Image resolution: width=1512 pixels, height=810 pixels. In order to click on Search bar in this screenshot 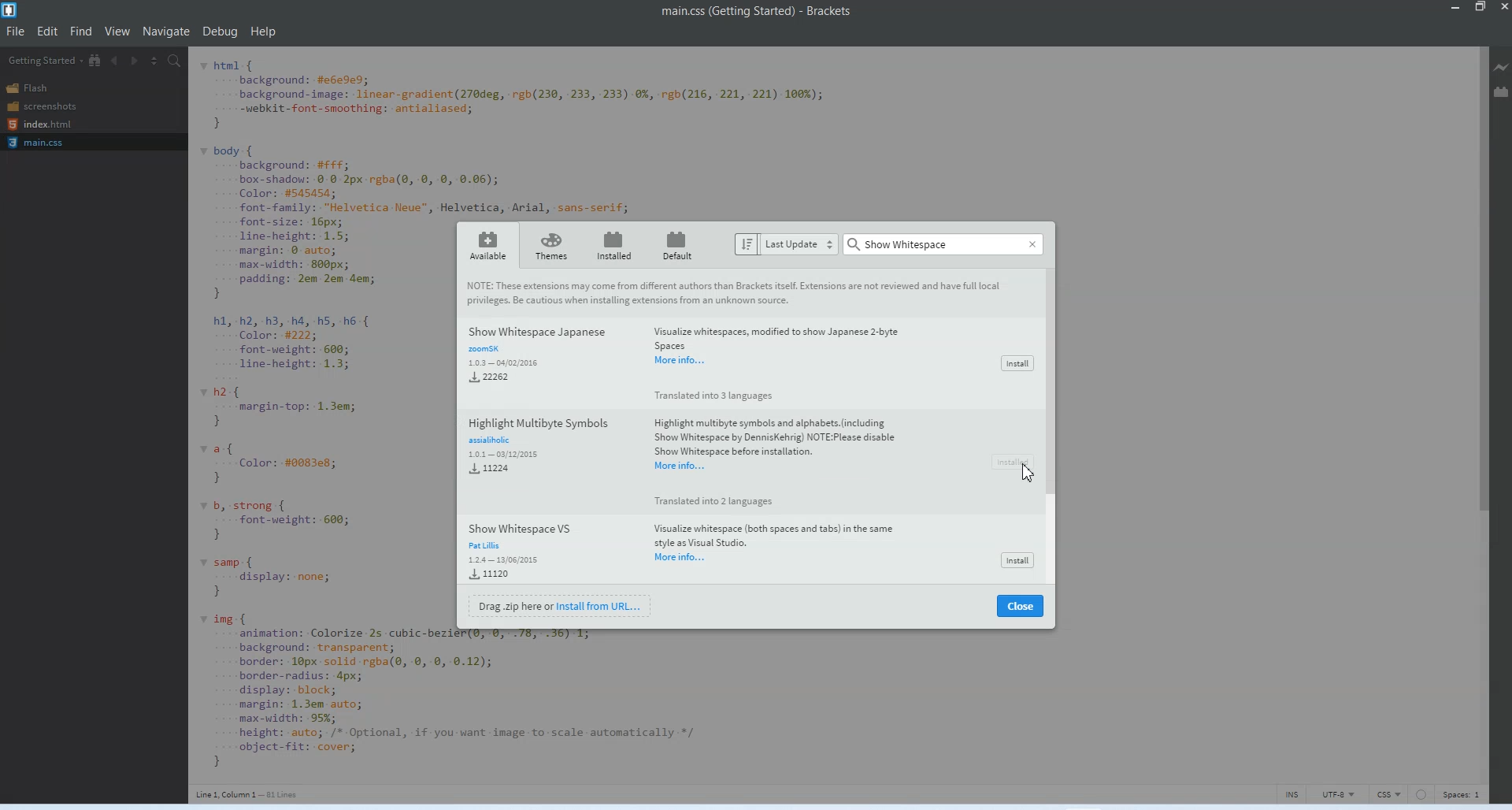, I will do `click(943, 244)`.